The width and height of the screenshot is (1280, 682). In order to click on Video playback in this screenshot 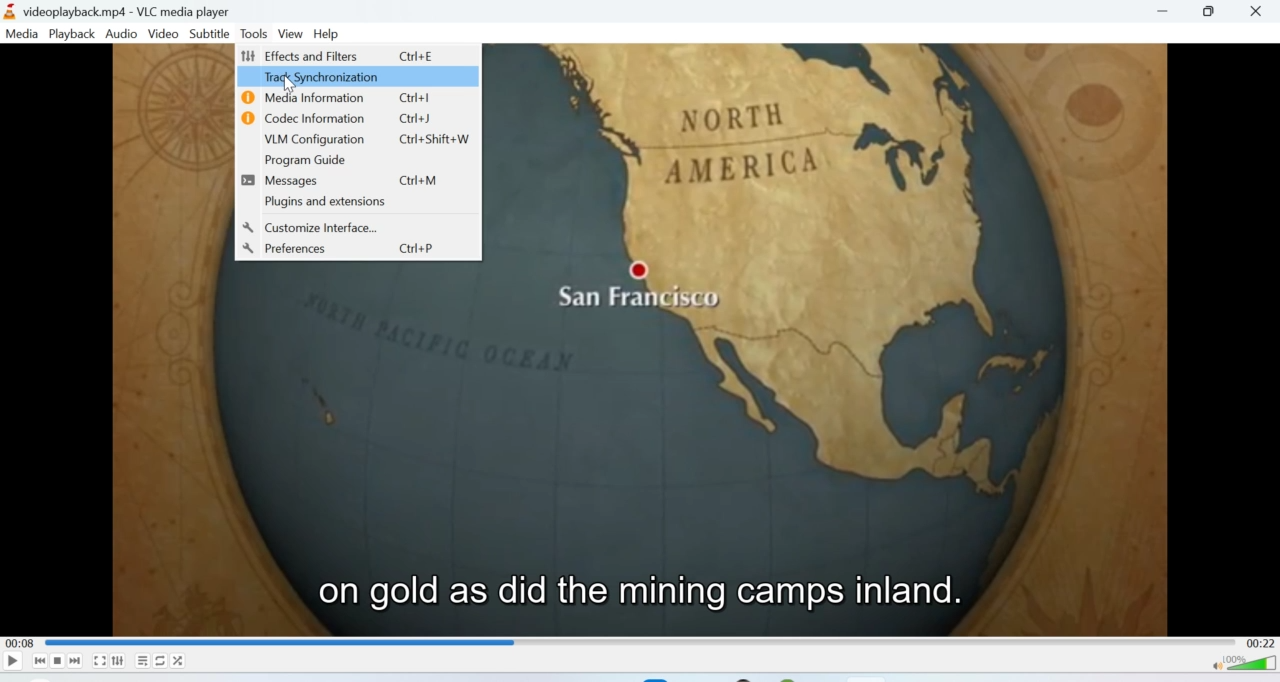, I will do `click(636, 451)`.